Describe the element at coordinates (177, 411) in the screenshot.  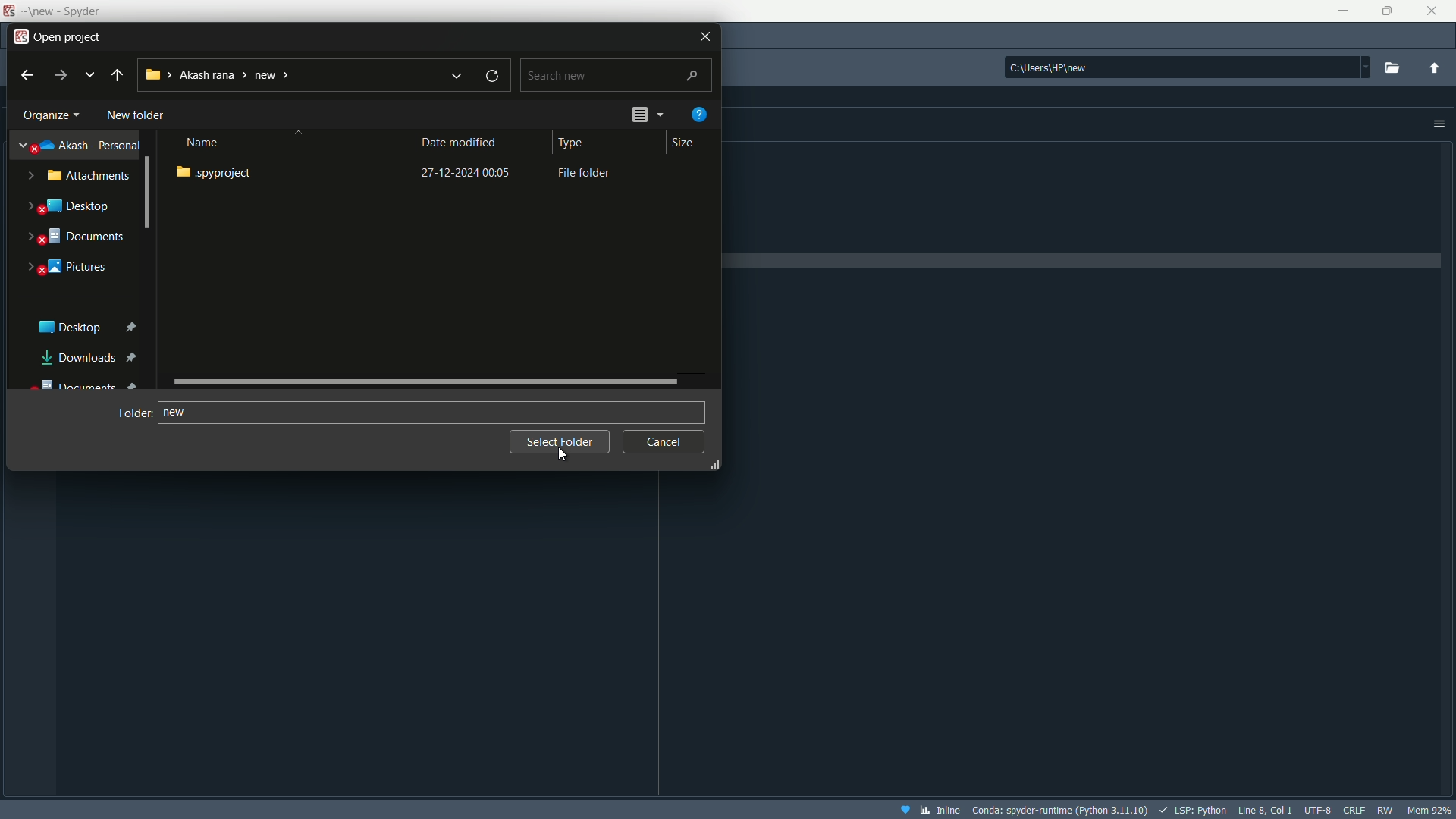
I see `folder name` at that location.